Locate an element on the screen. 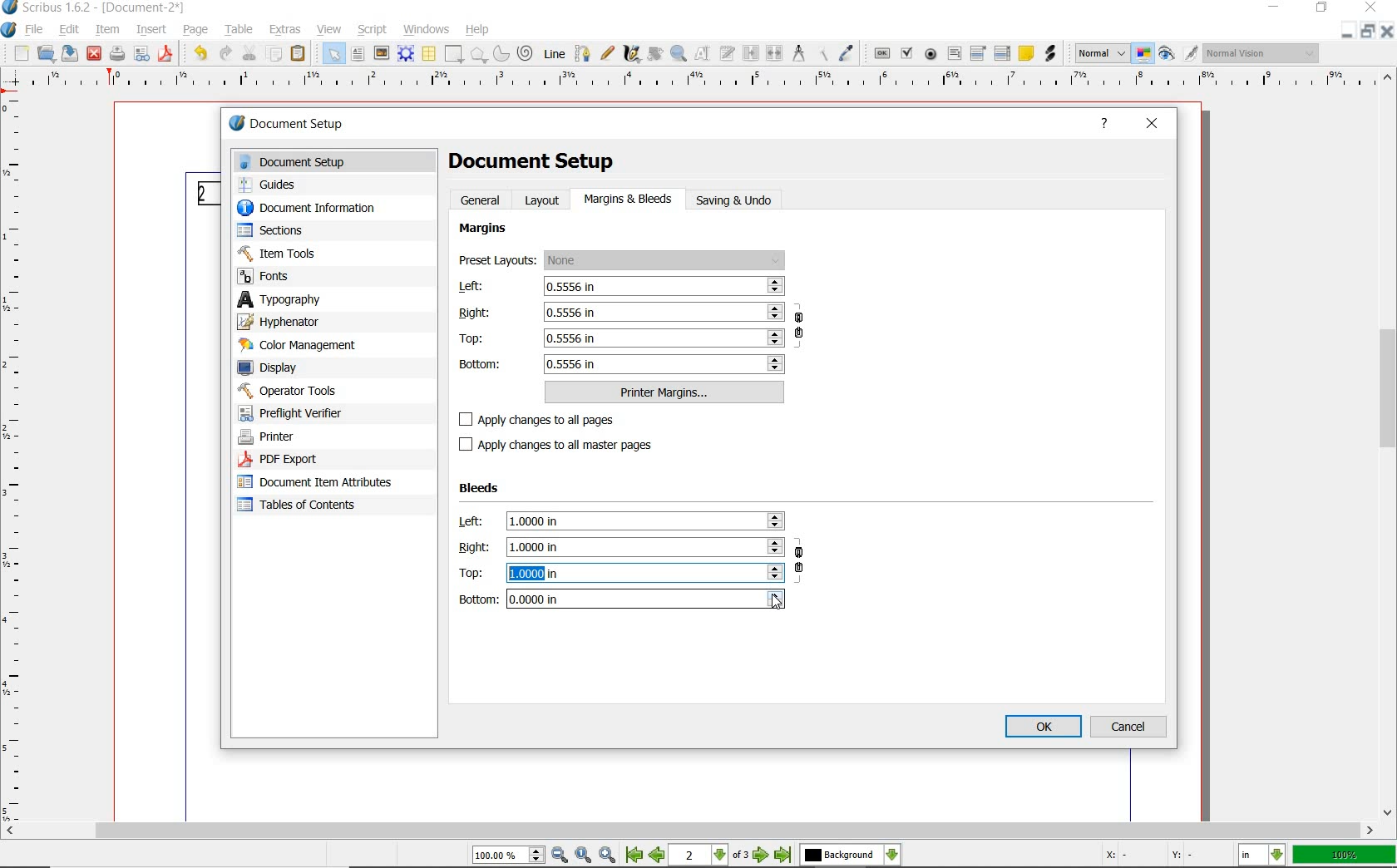  select the current layer is located at coordinates (850, 856).